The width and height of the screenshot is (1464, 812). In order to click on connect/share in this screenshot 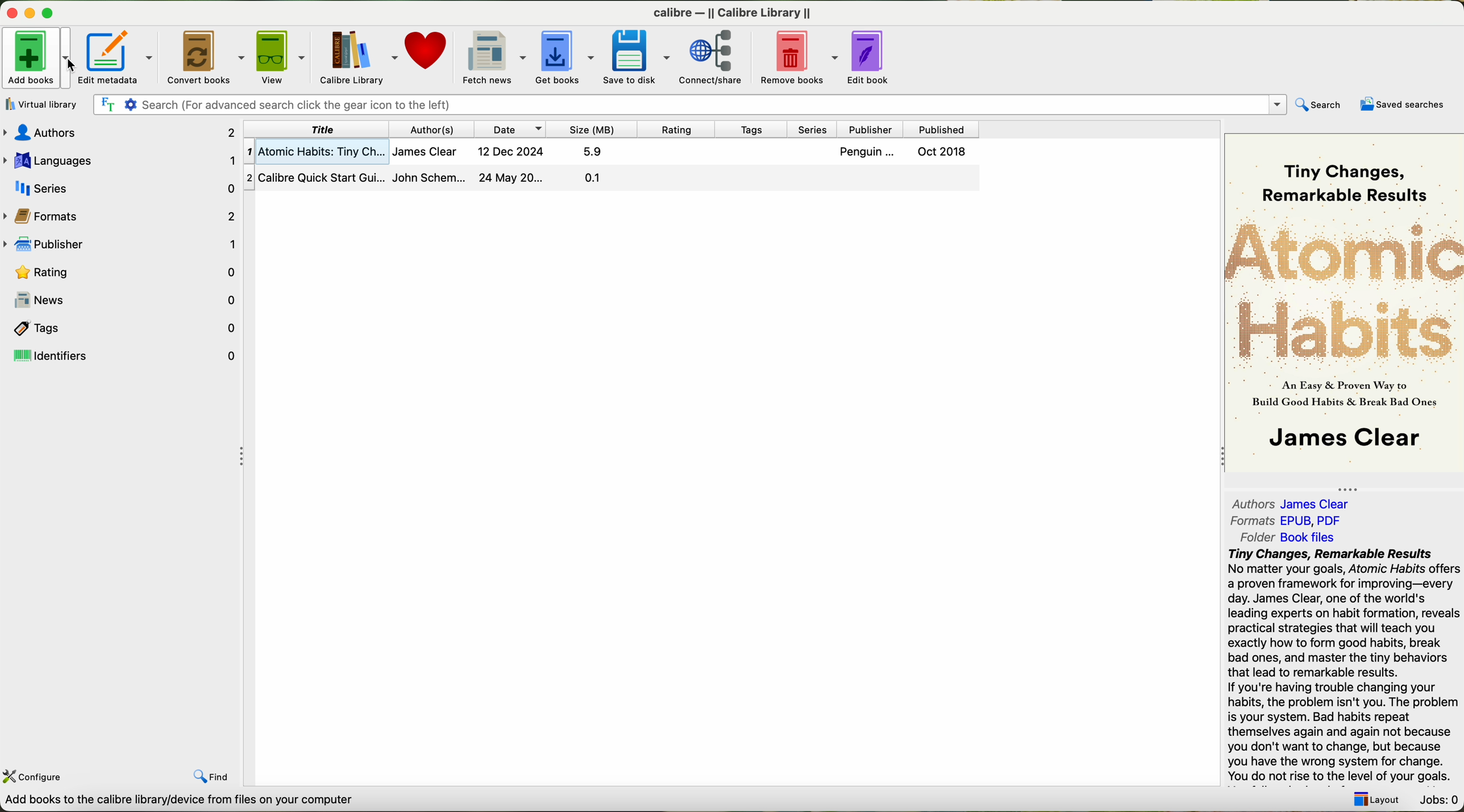, I will do `click(714, 58)`.